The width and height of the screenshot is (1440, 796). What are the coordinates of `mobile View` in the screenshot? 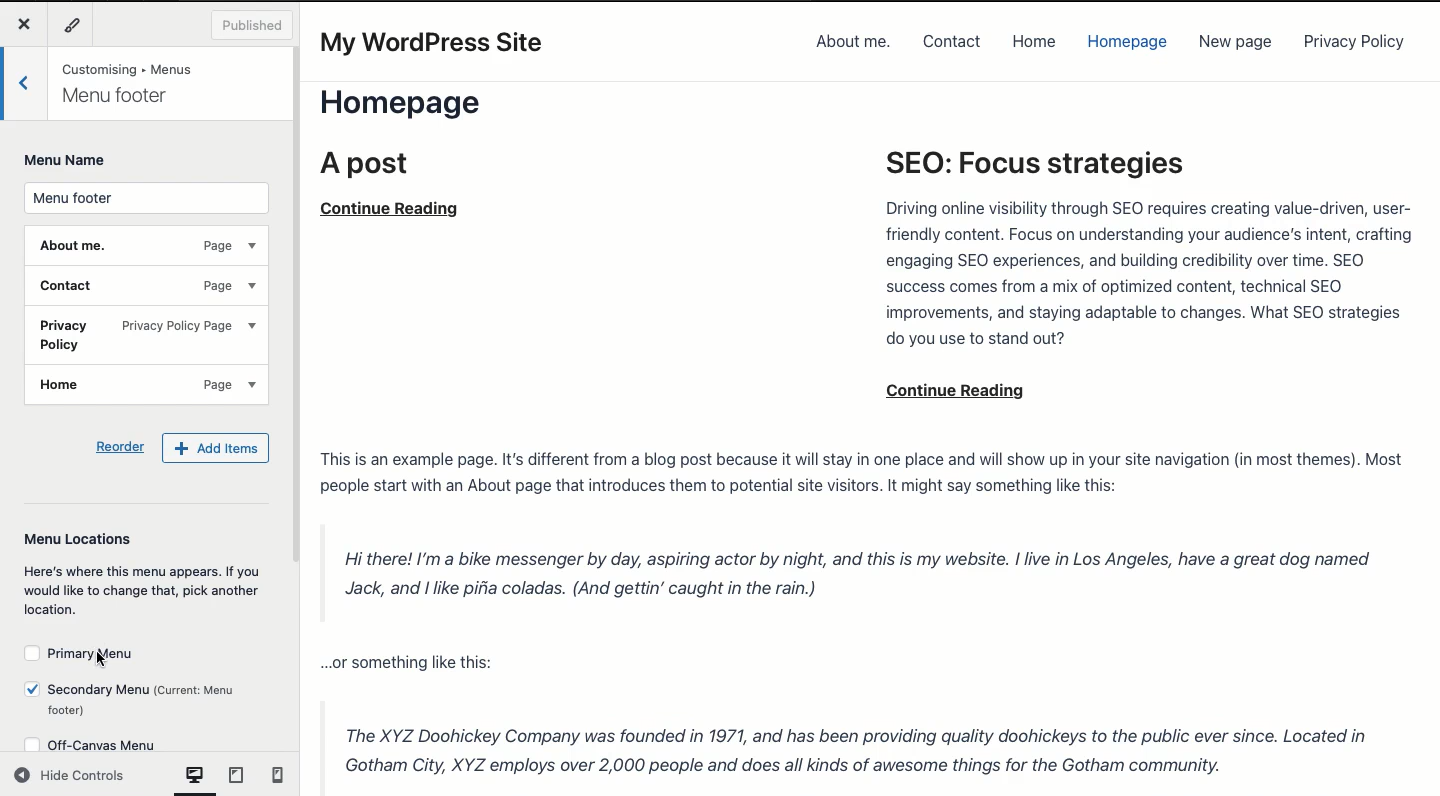 It's located at (273, 777).